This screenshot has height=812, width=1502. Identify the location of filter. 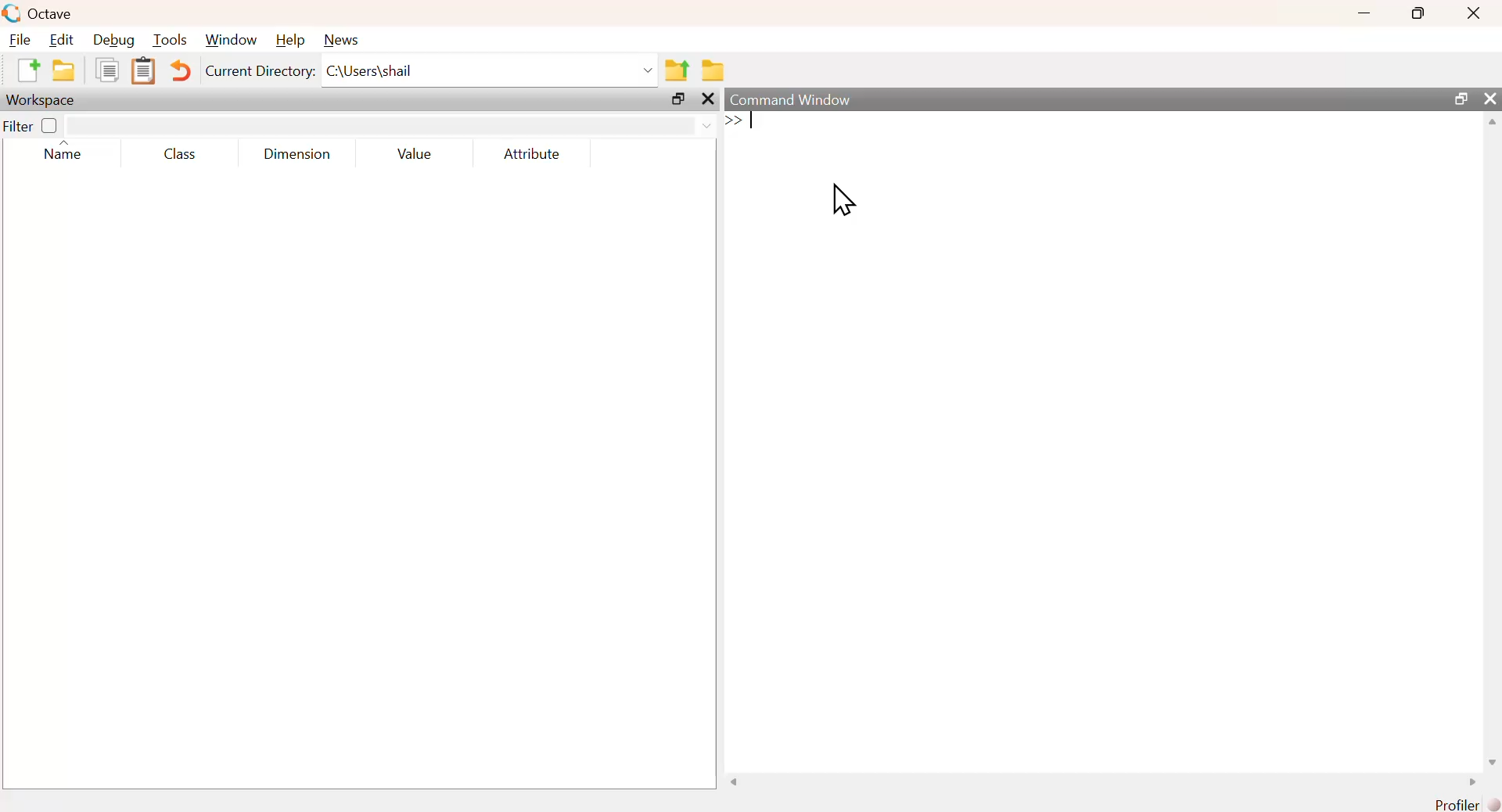
(391, 126).